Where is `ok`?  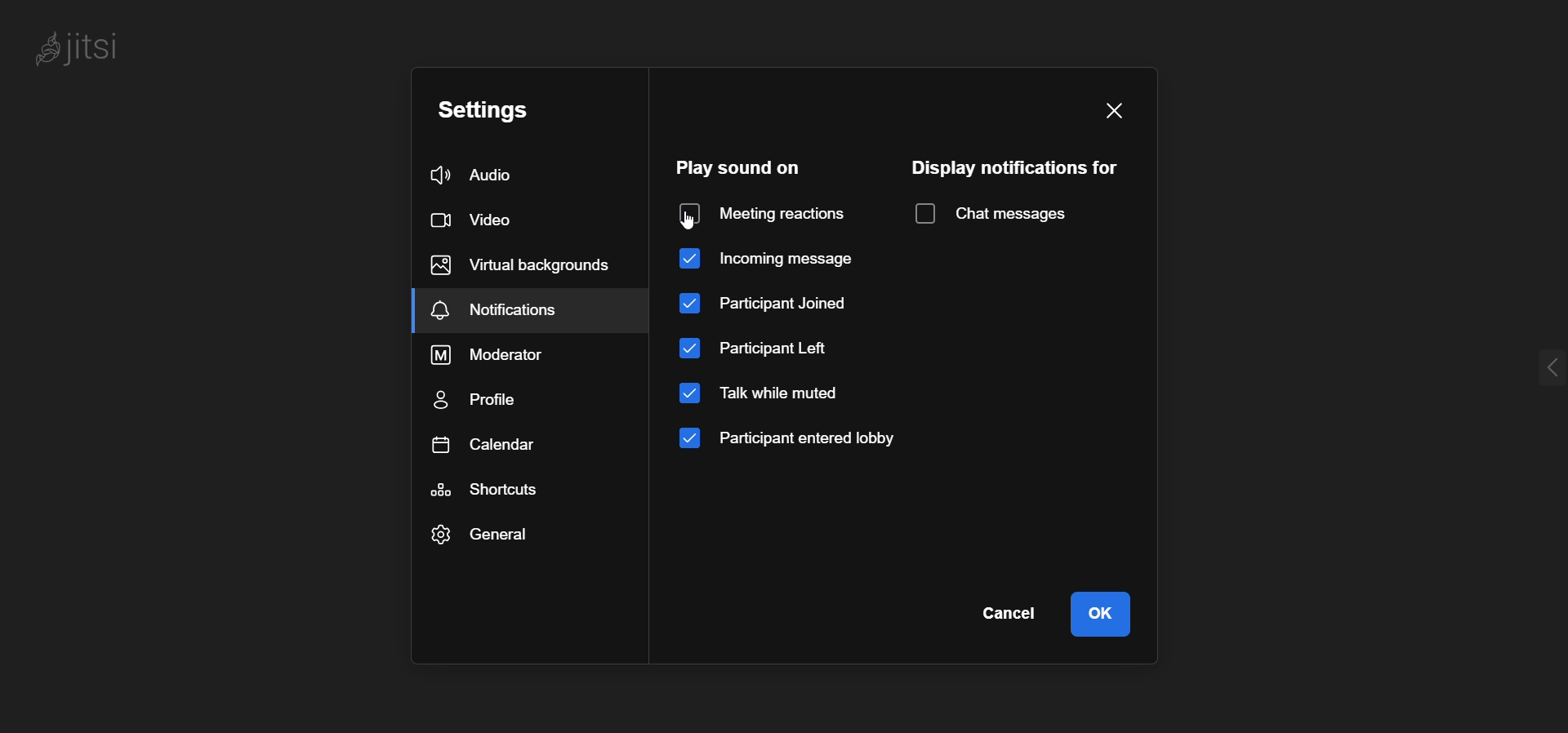
ok is located at coordinates (1106, 611).